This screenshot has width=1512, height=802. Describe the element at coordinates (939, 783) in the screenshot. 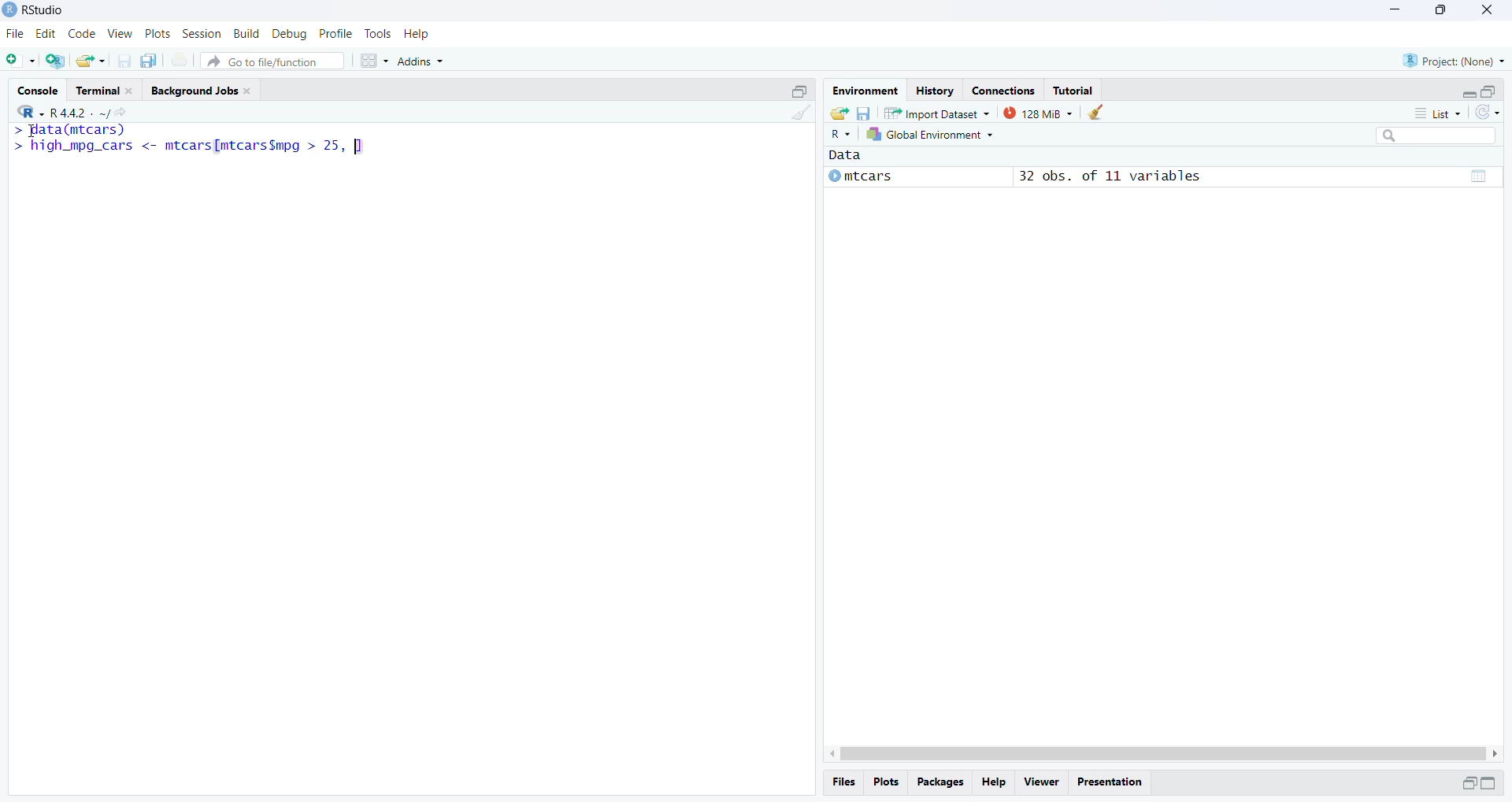

I see `packages` at that location.